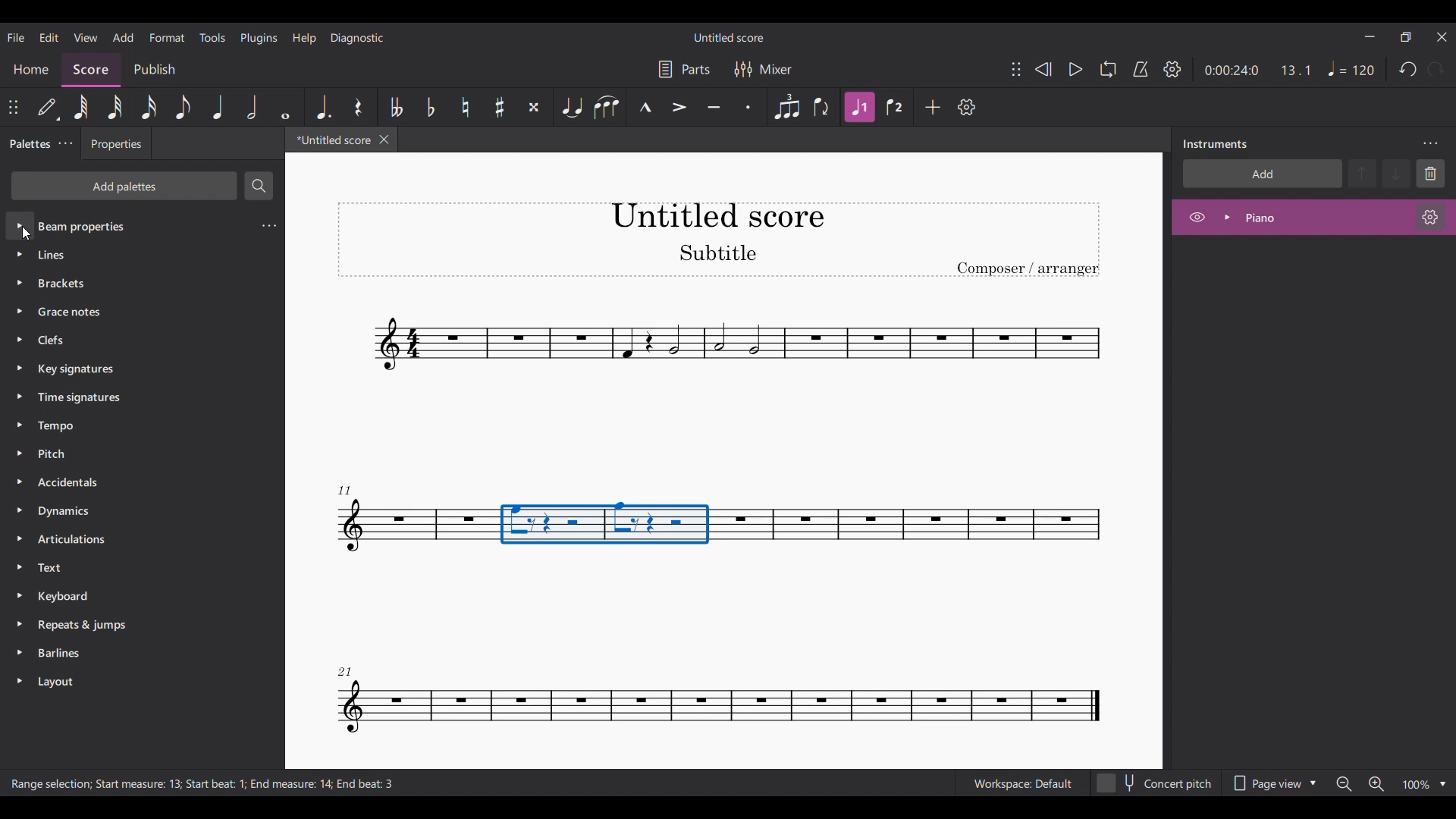  What do you see at coordinates (259, 185) in the screenshot?
I see `Search palette` at bounding box center [259, 185].